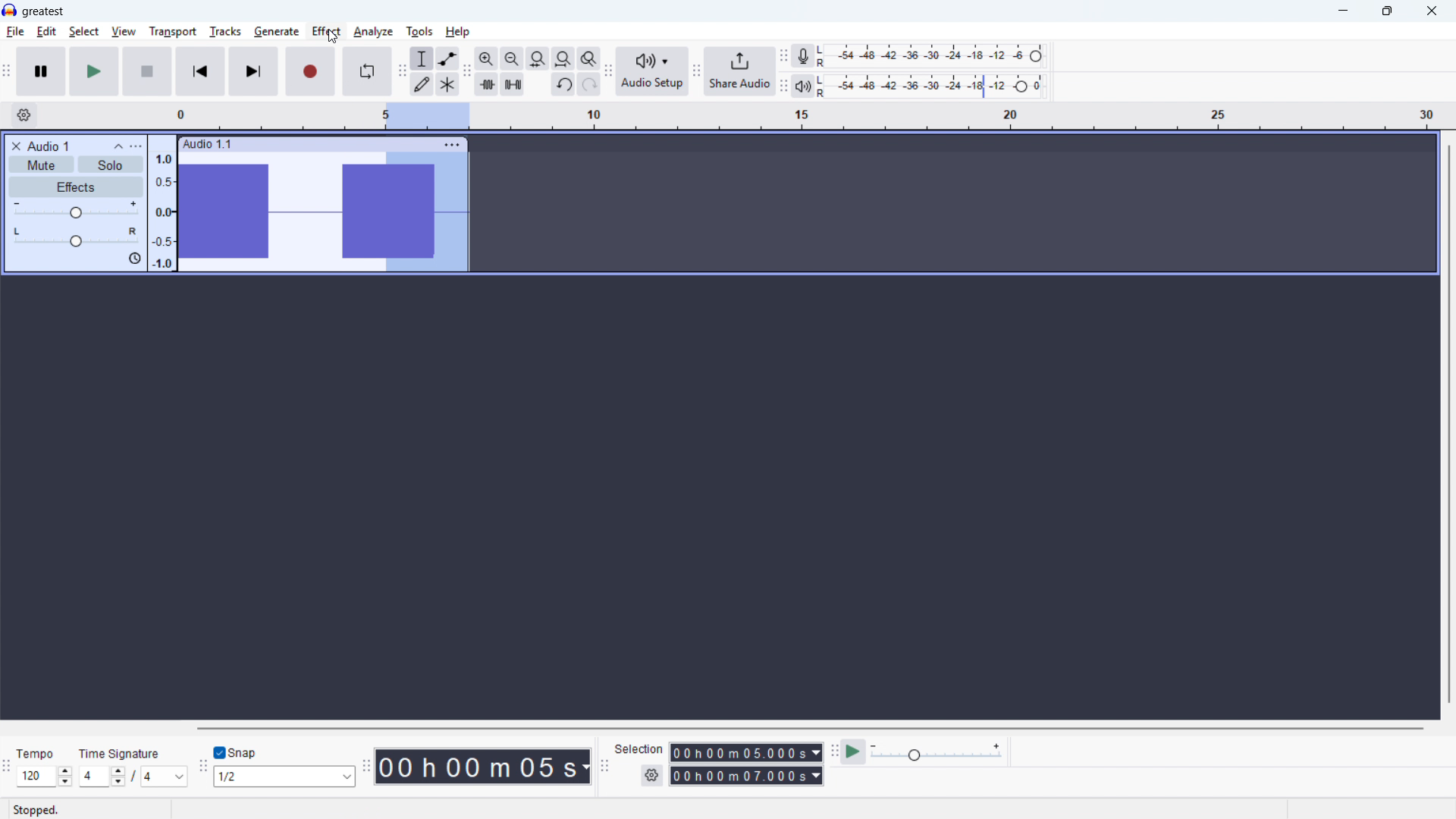 This screenshot has height=819, width=1456. I want to click on , so click(696, 73).